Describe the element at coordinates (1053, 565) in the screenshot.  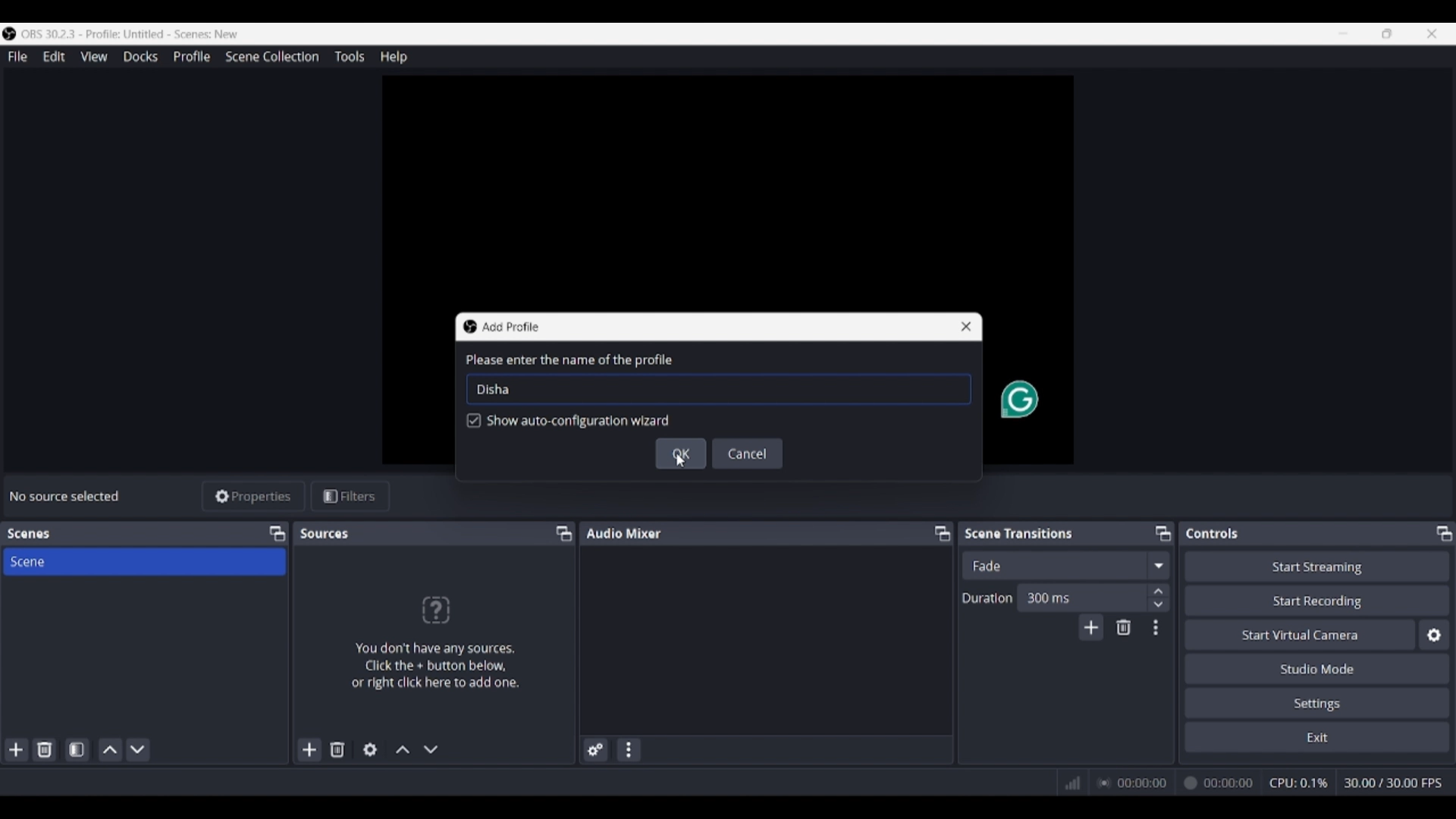
I see `Current fade` at that location.